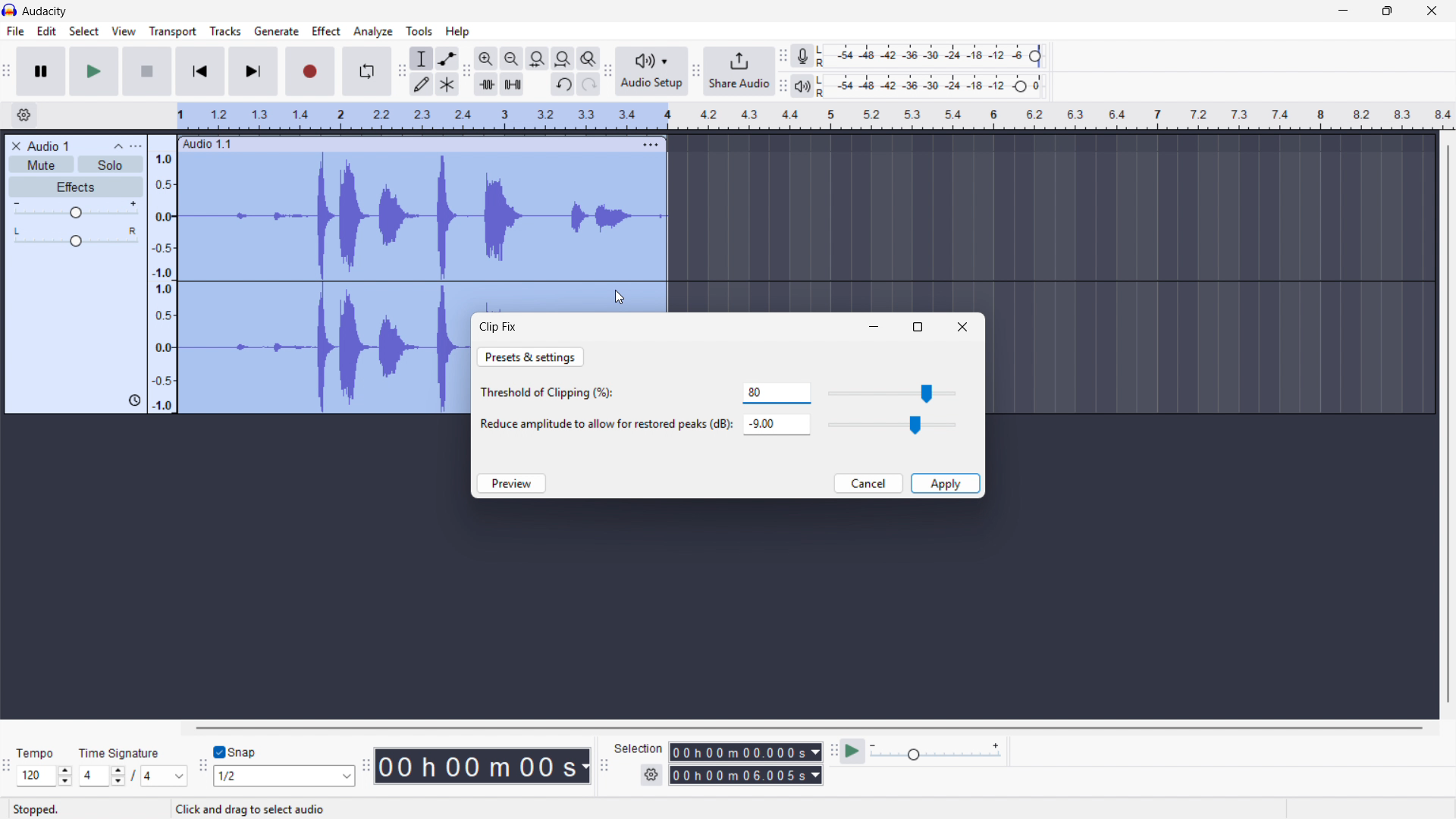  Describe the element at coordinates (510, 483) in the screenshot. I see `Preview` at that location.